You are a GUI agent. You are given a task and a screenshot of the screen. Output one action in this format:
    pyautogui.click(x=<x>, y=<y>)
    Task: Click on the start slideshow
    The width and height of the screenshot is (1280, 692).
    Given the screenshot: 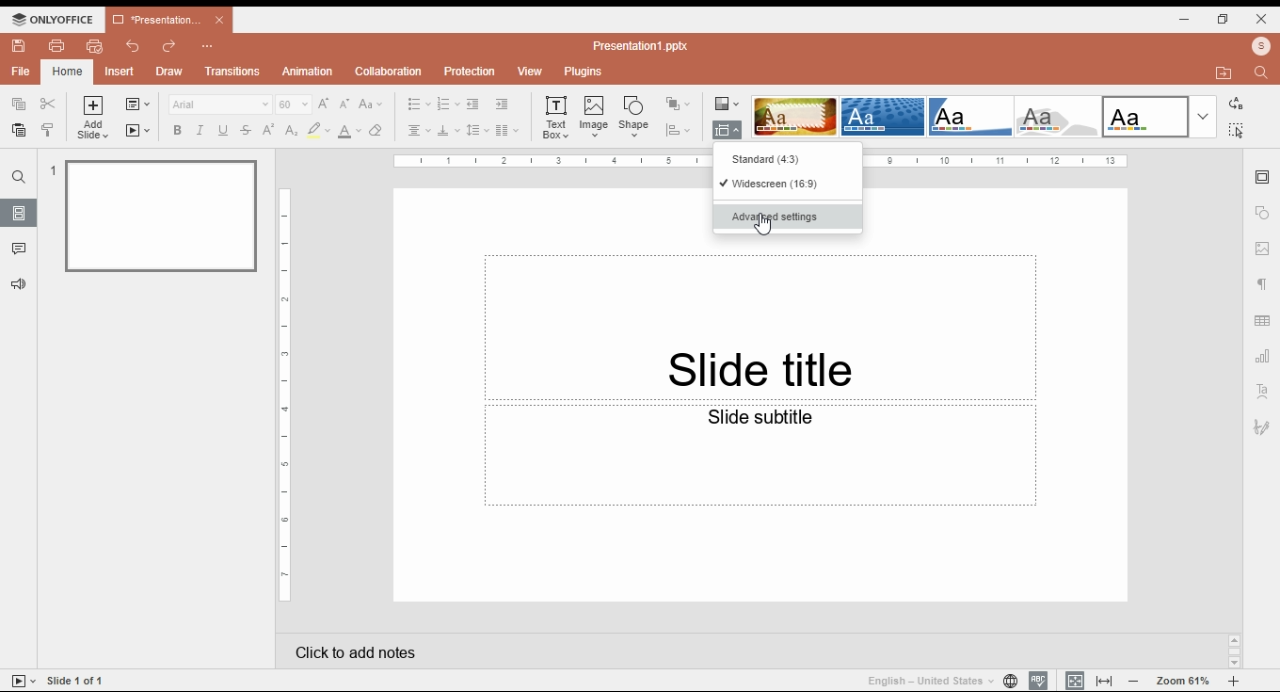 What is the action you would take?
    pyautogui.click(x=138, y=131)
    